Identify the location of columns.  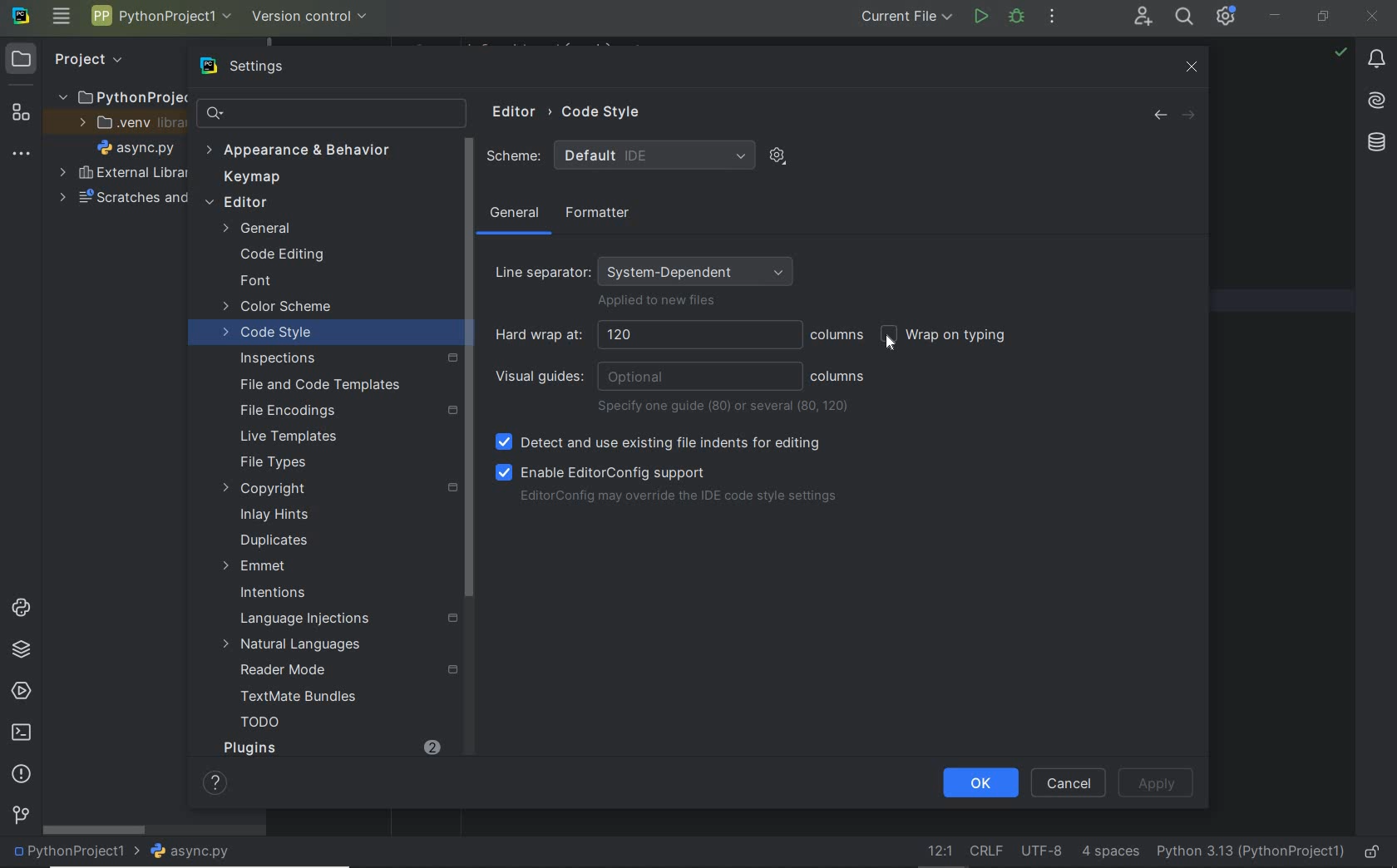
(838, 335).